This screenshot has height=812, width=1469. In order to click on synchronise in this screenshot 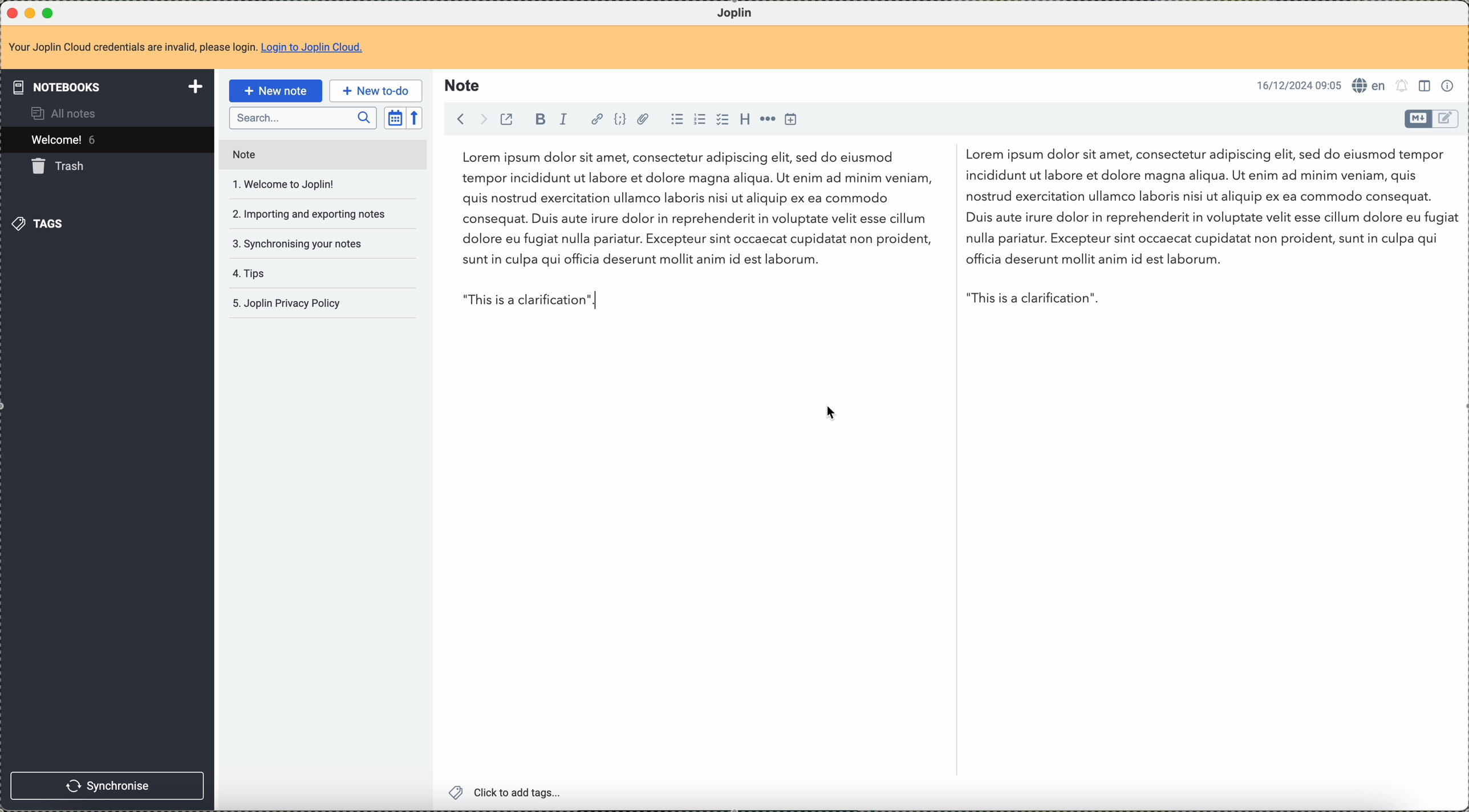, I will do `click(108, 786)`.